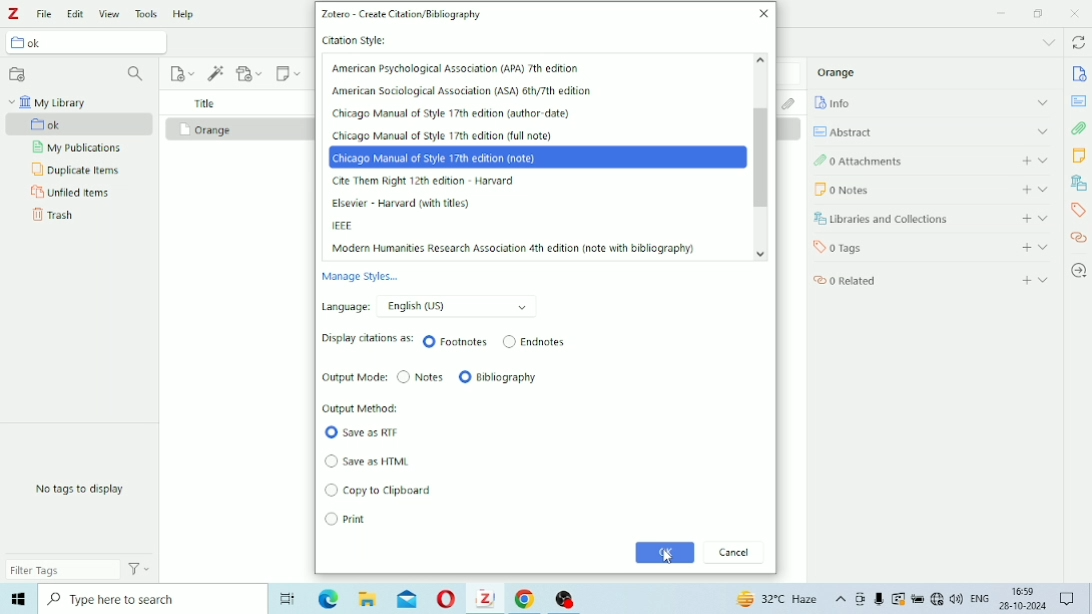  I want to click on Warning, so click(899, 599).